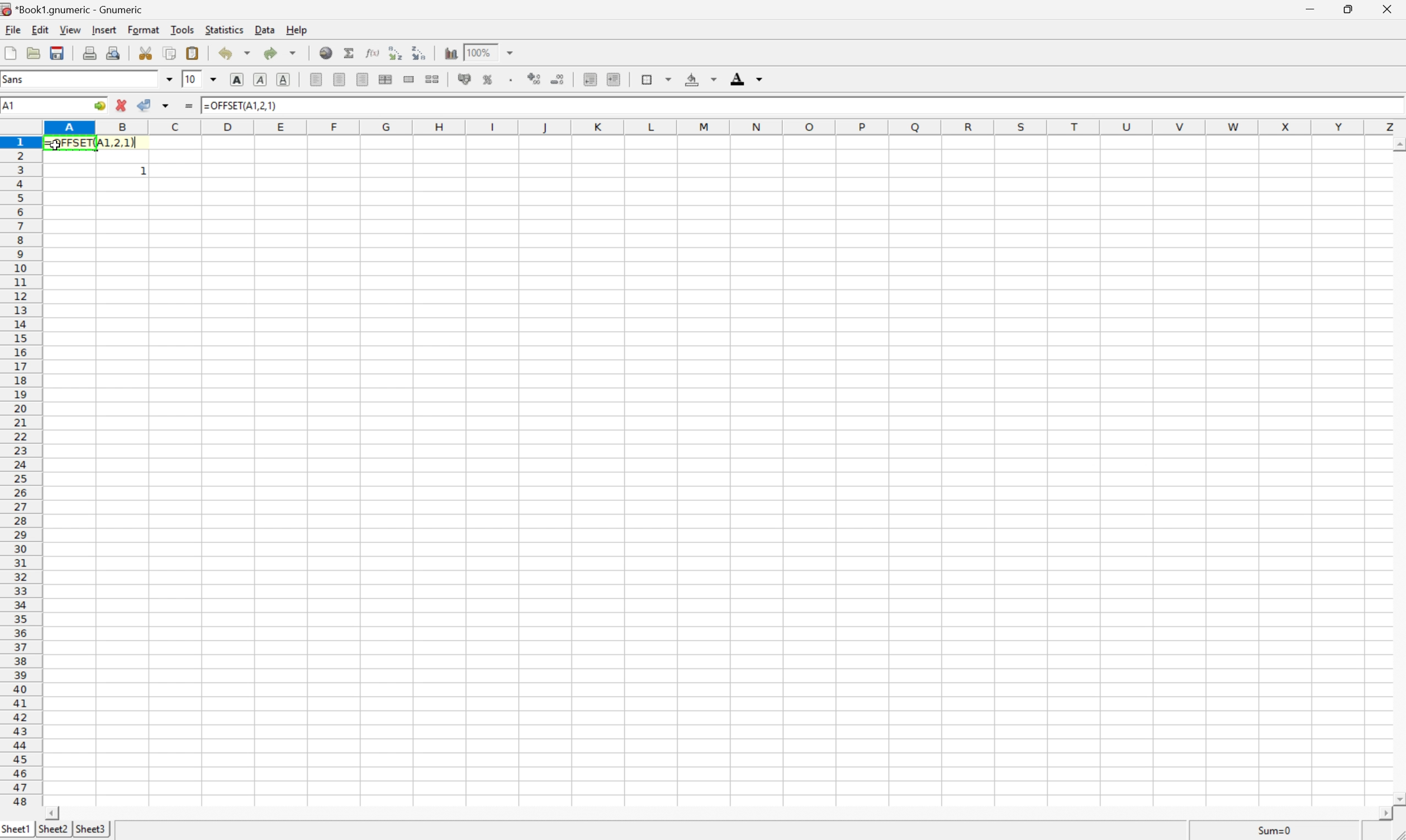  What do you see at coordinates (408, 79) in the screenshot?
I see `merge a range of cells` at bounding box center [408, 79].